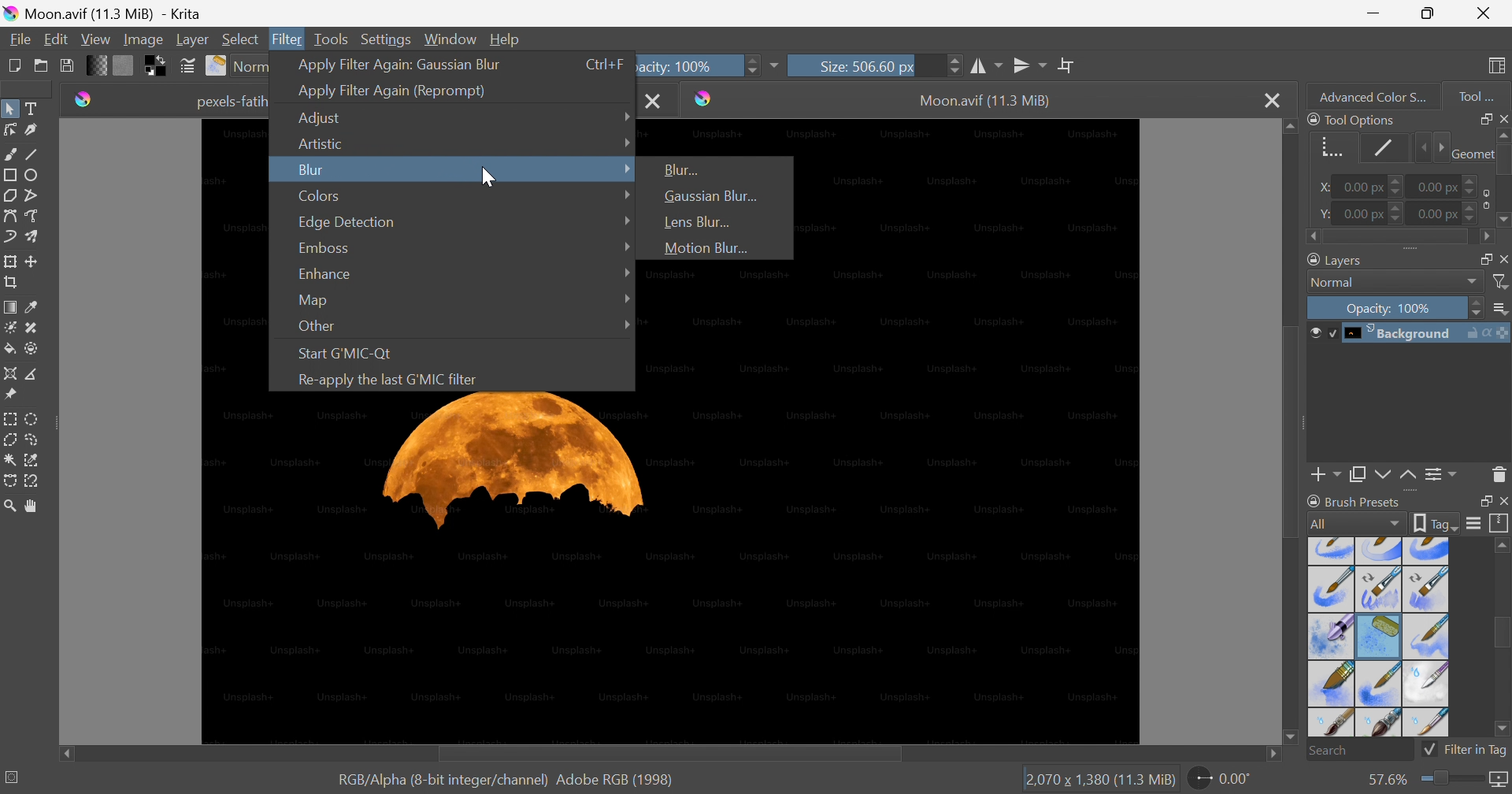  I want to click on Select shapes tool, so click(9, 109).